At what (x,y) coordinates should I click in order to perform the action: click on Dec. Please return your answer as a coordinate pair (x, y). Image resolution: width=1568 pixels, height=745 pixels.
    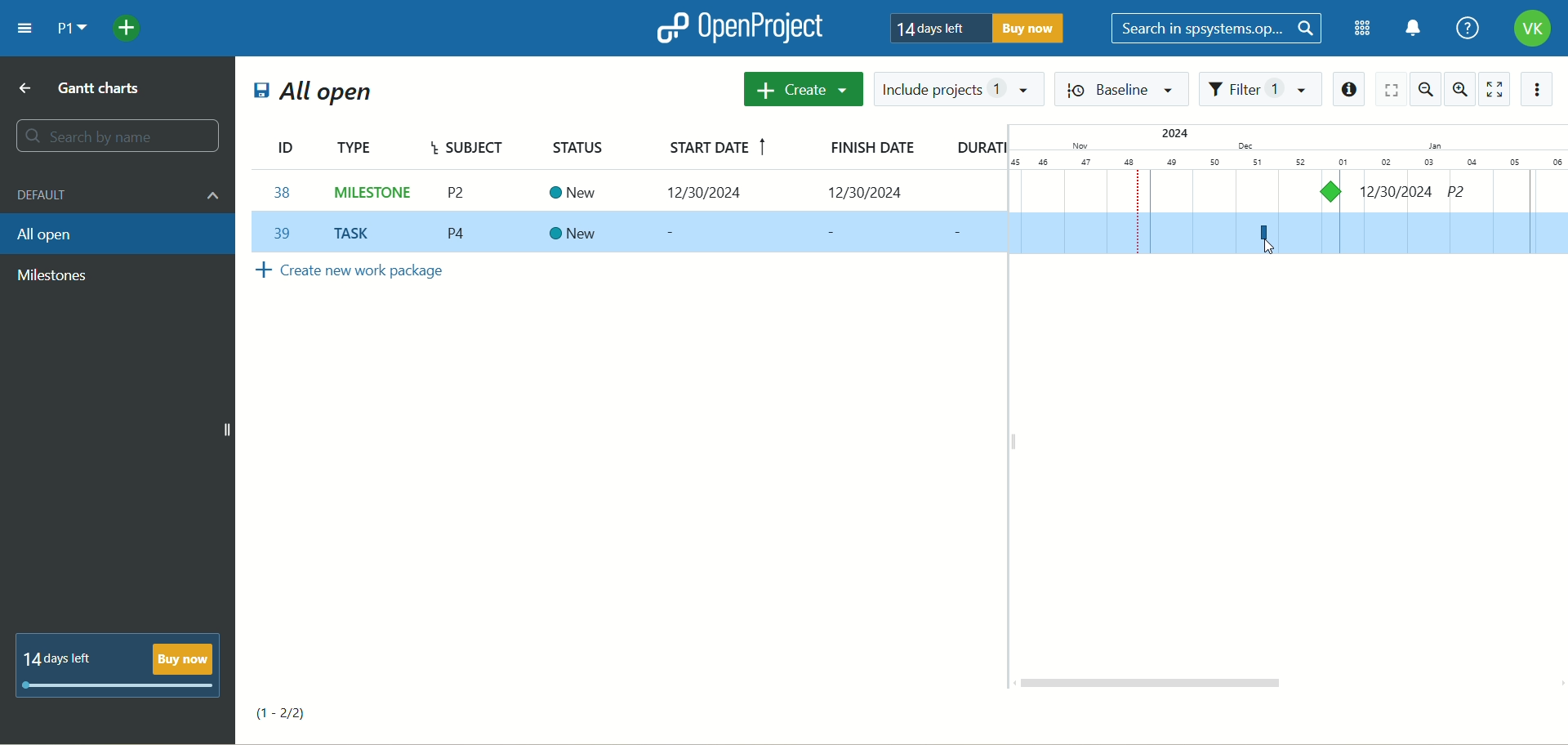
    Looking at the image, I should click on (1239, 145).